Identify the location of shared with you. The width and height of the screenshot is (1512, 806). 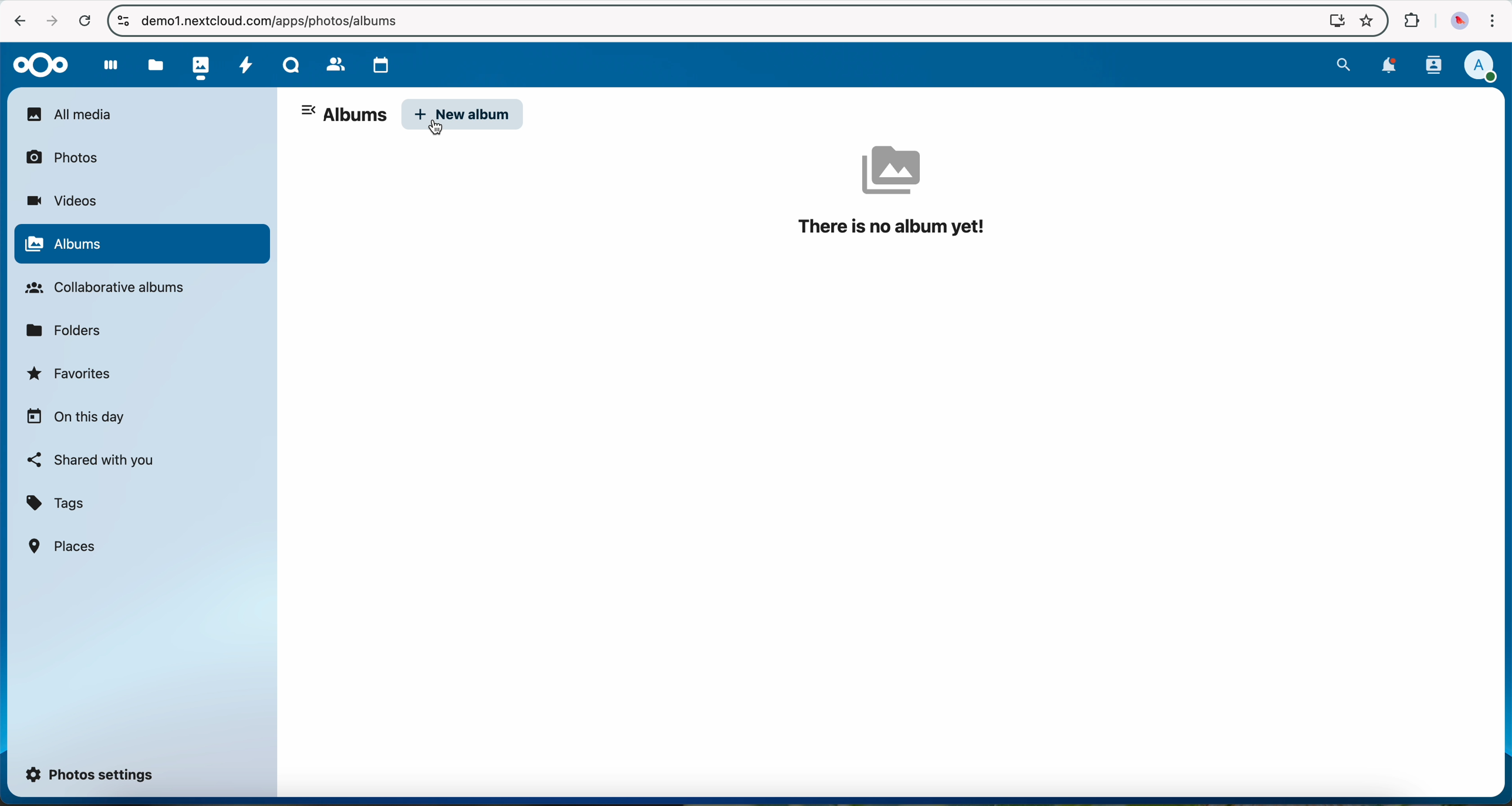
(92, 460).